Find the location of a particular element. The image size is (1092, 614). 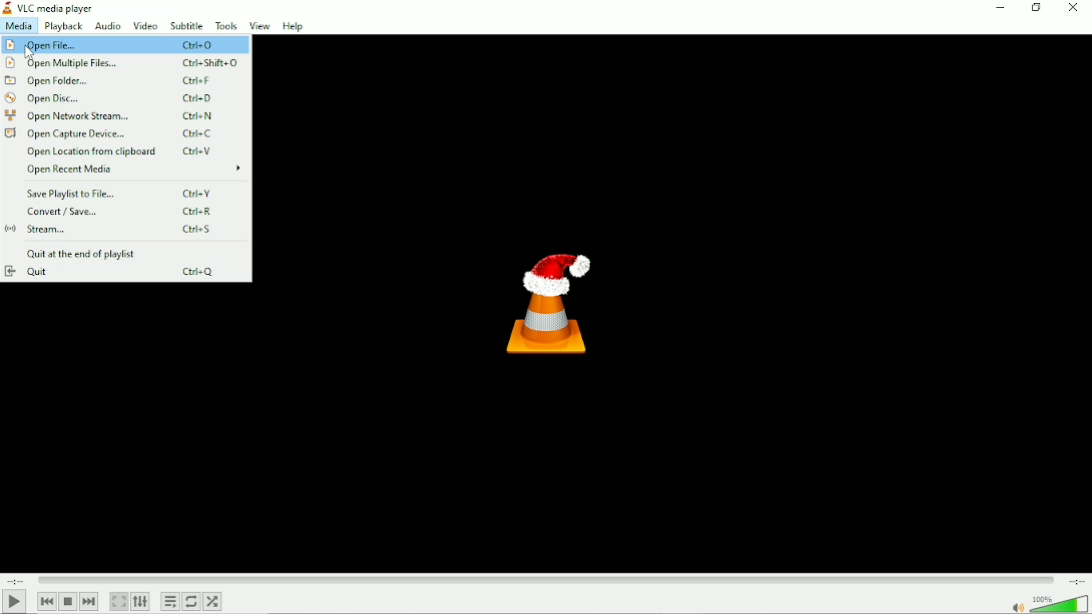

Video is located at coordinates (144, 26).